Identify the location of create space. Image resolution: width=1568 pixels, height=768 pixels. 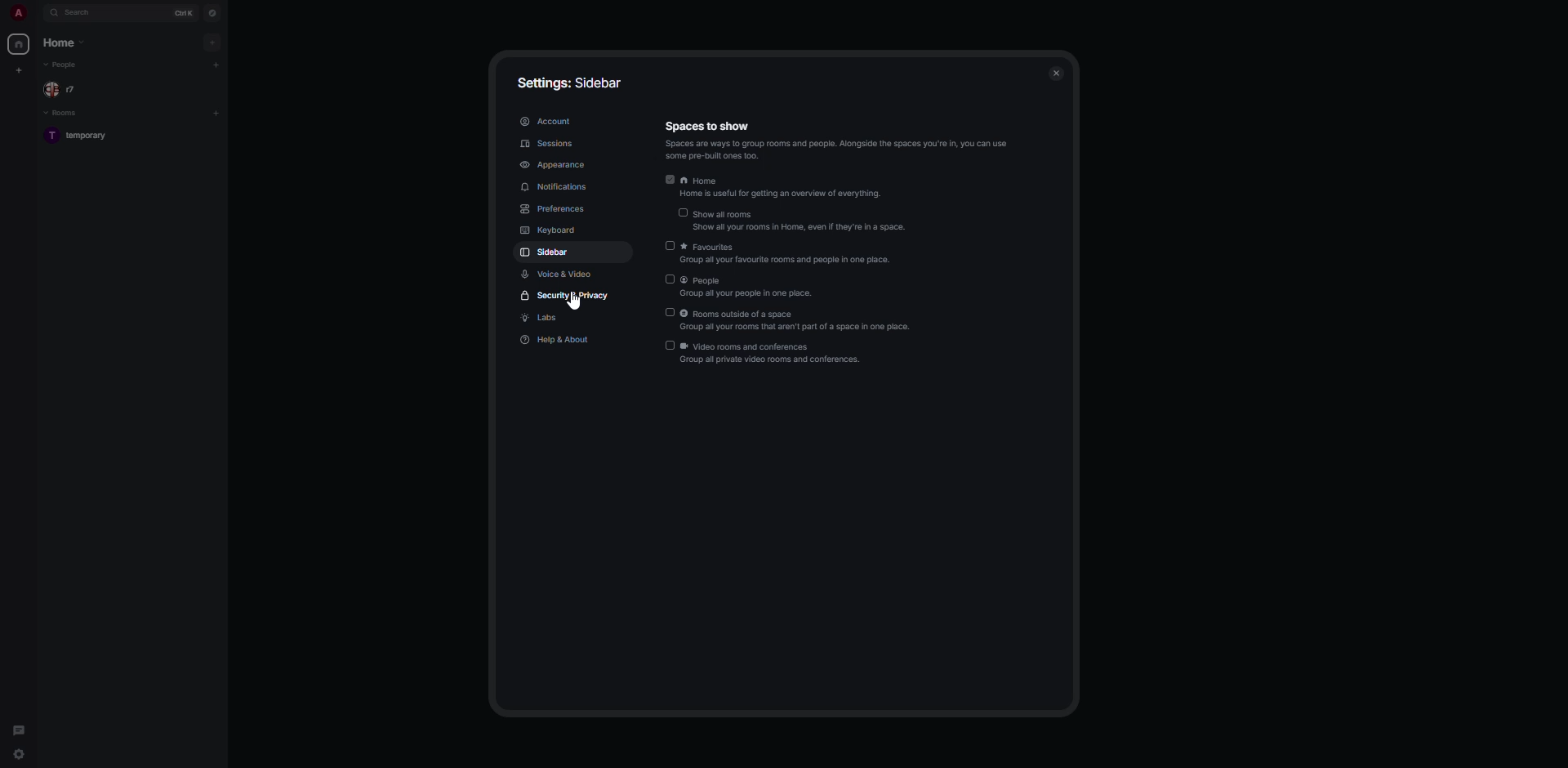
(18, 69).